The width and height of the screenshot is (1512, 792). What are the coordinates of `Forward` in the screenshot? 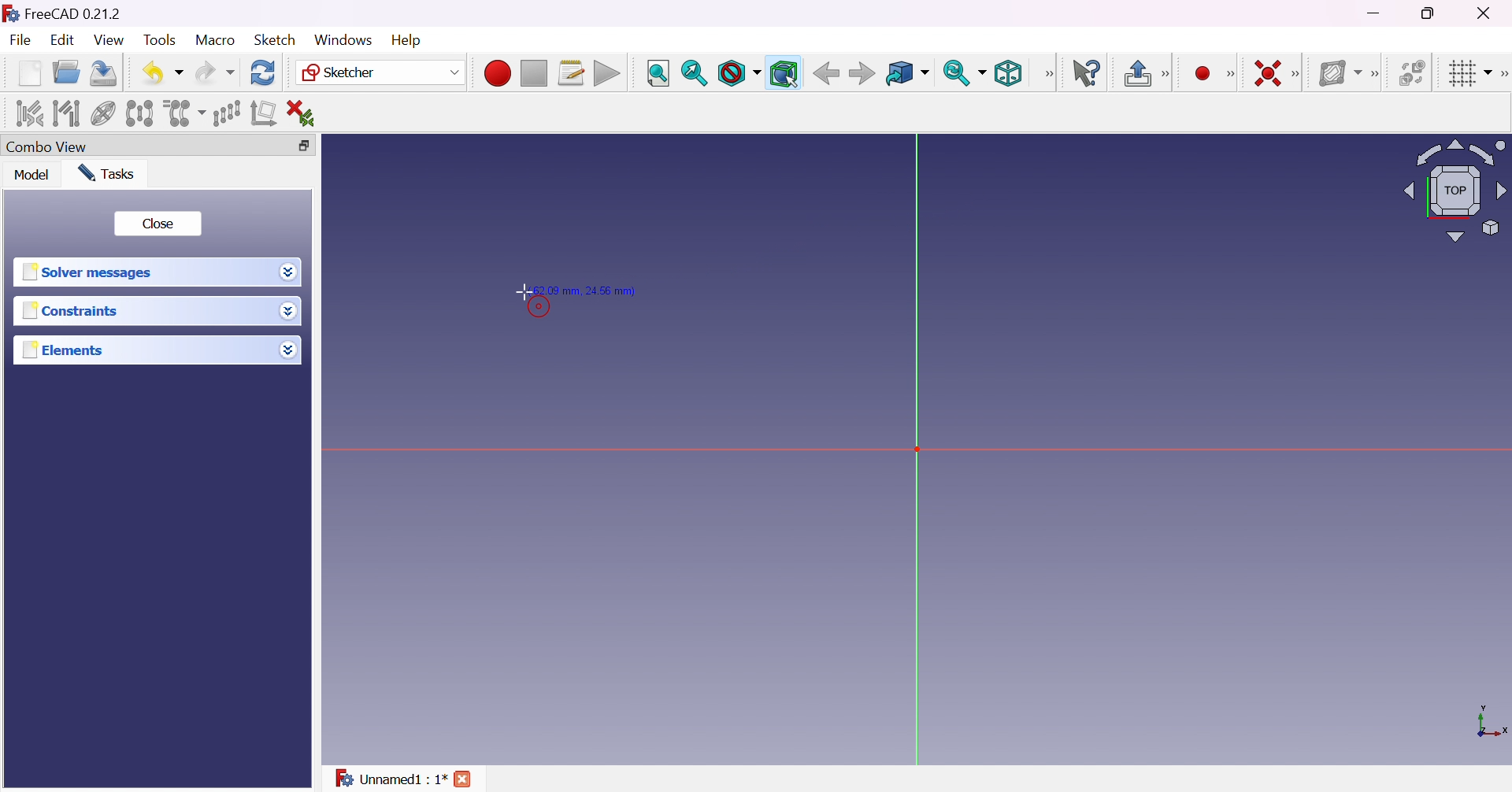 It's located at (862, 75).